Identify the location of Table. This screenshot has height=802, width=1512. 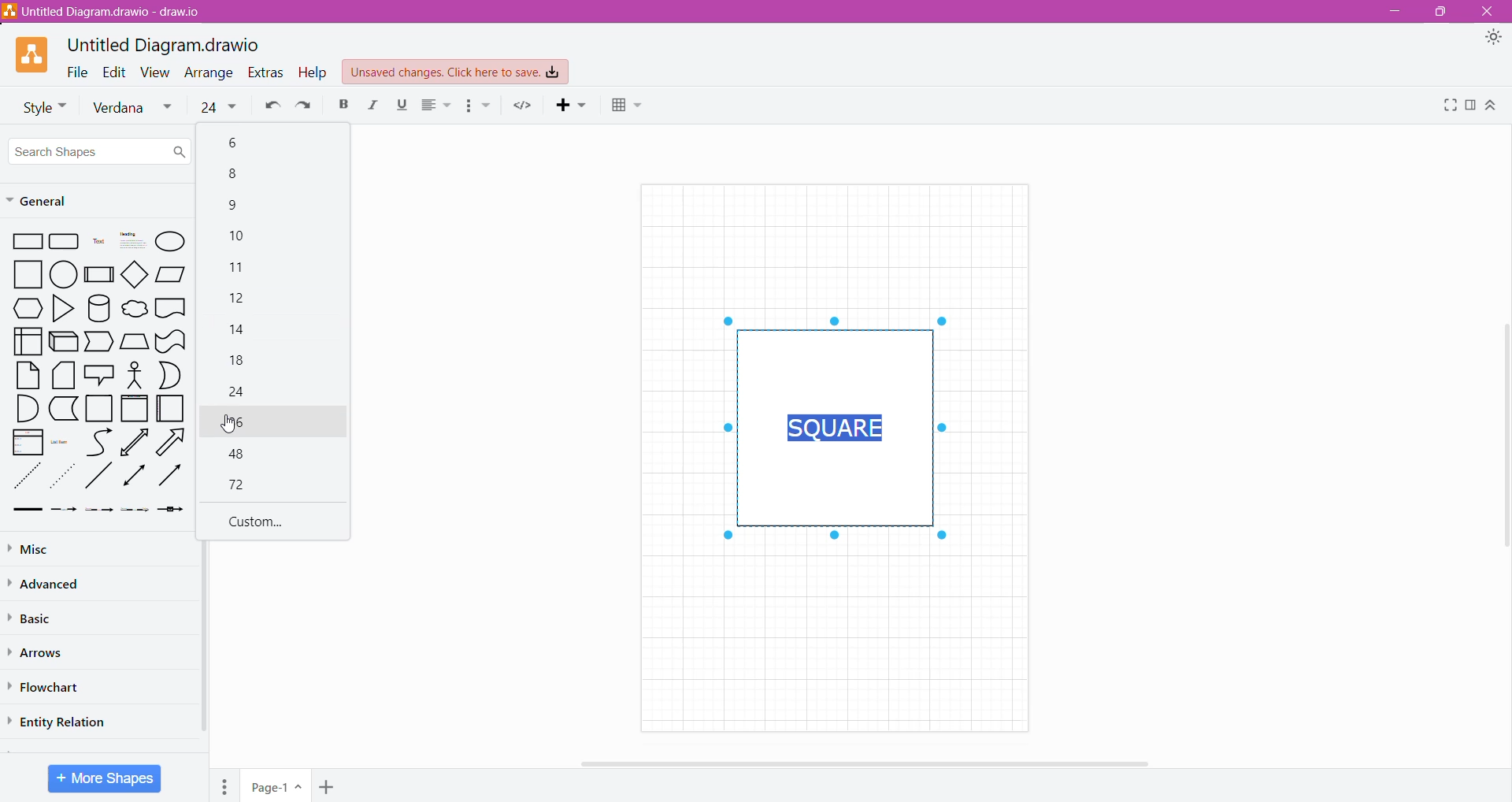
(627, 108).